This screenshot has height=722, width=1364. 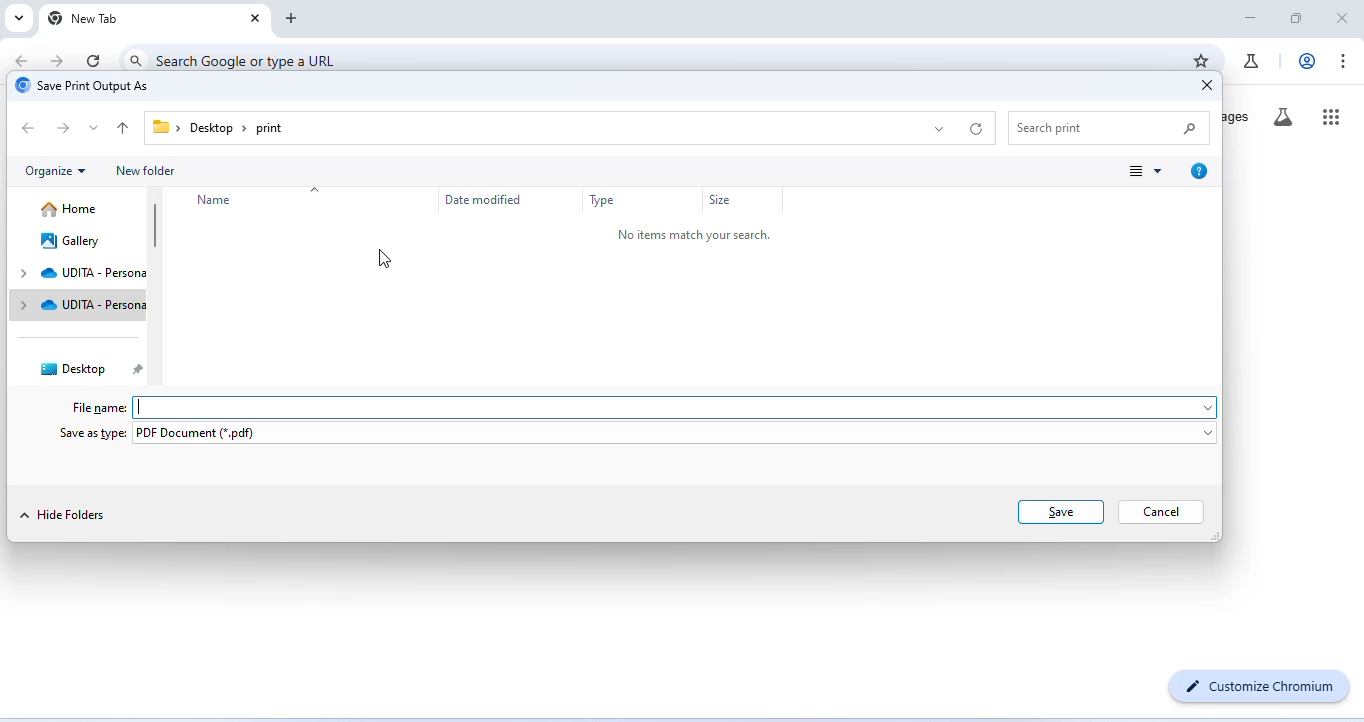 I want to click on search google or type a URL, so click(x=249, y=61).